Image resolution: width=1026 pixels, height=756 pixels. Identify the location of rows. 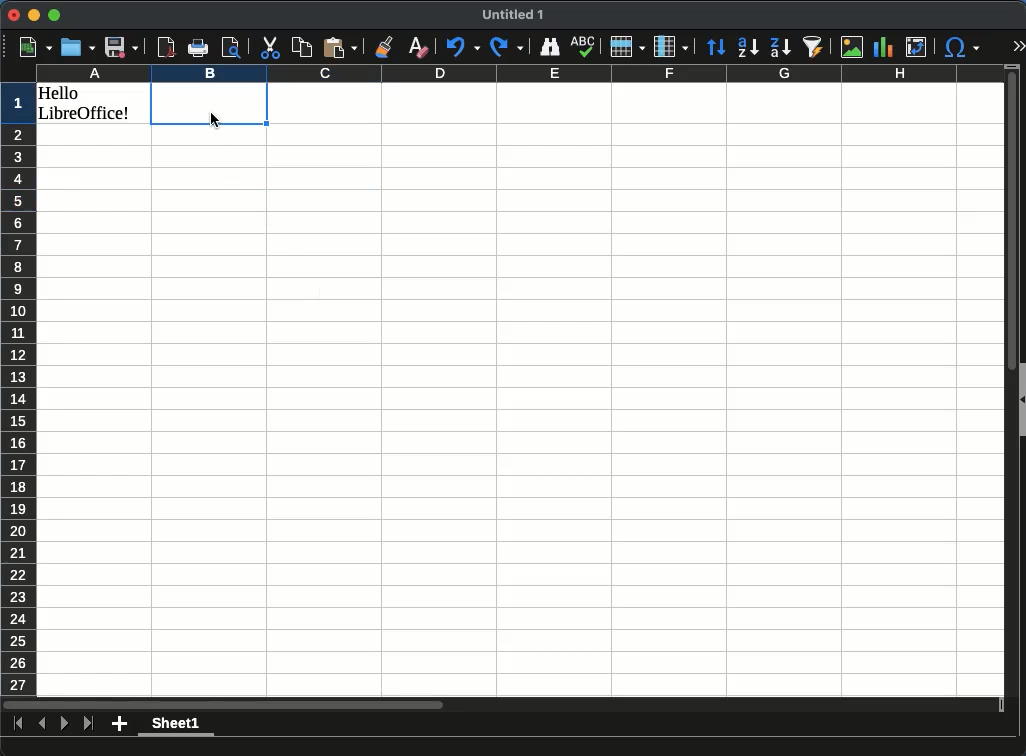
(628, 45).